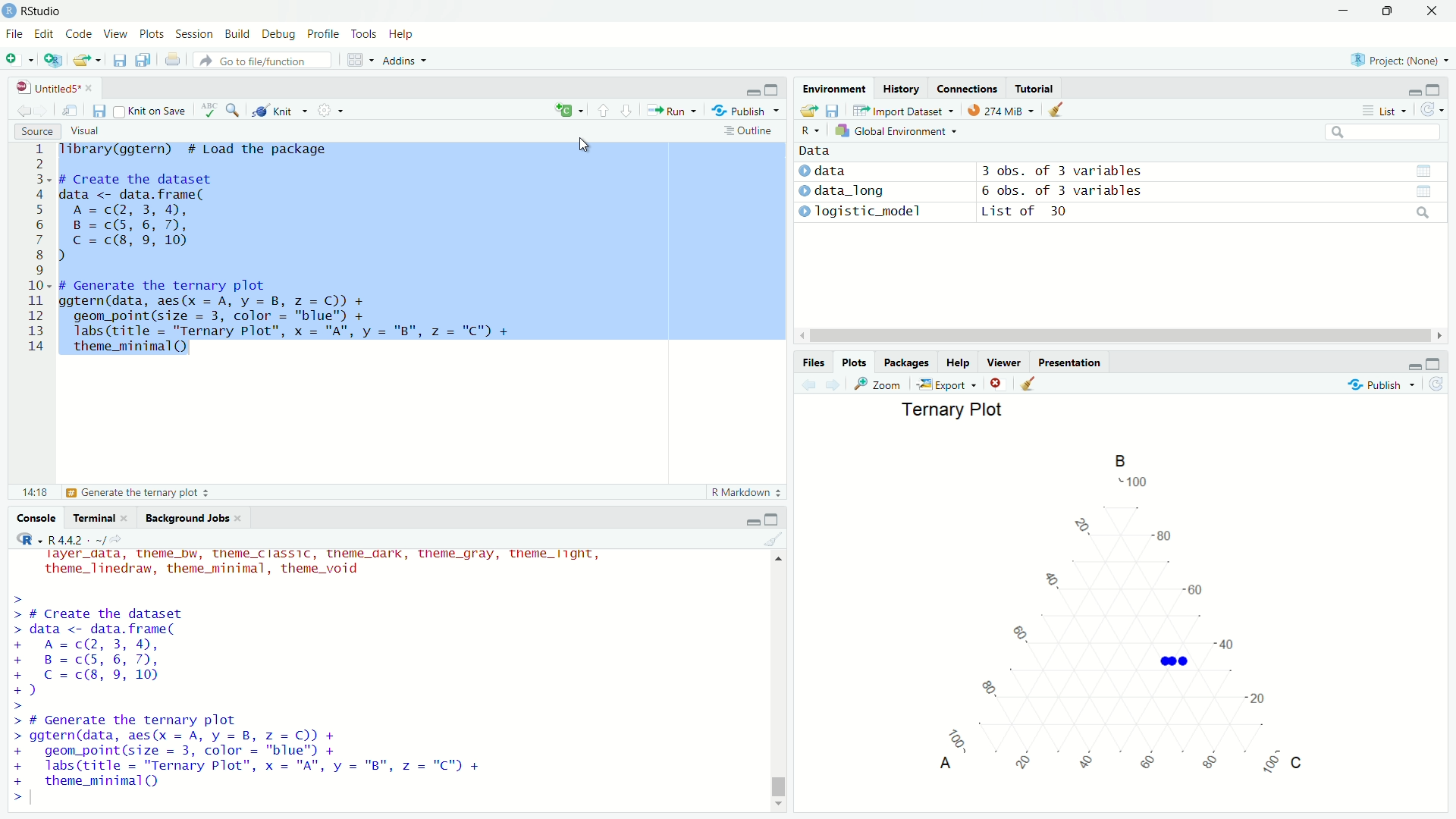  Describe the element at coordinates (1072, 362) in the screenshot. I see `Presentation` at that location.